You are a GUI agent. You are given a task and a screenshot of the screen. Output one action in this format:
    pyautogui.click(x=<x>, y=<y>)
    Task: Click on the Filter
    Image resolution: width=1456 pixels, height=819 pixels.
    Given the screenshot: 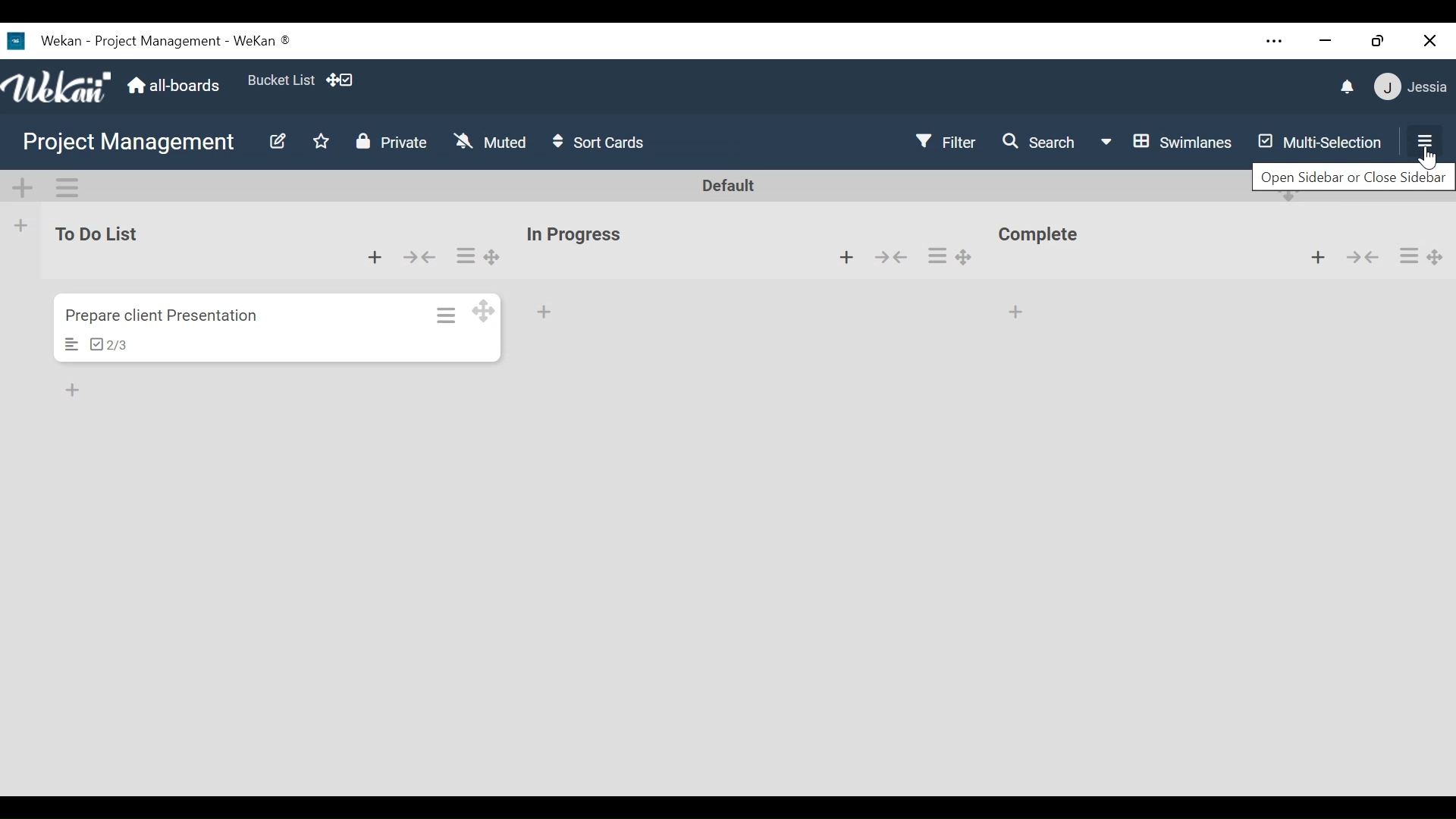 What is the action you would take?
    pyautogui.click(x=944, y=143)
    